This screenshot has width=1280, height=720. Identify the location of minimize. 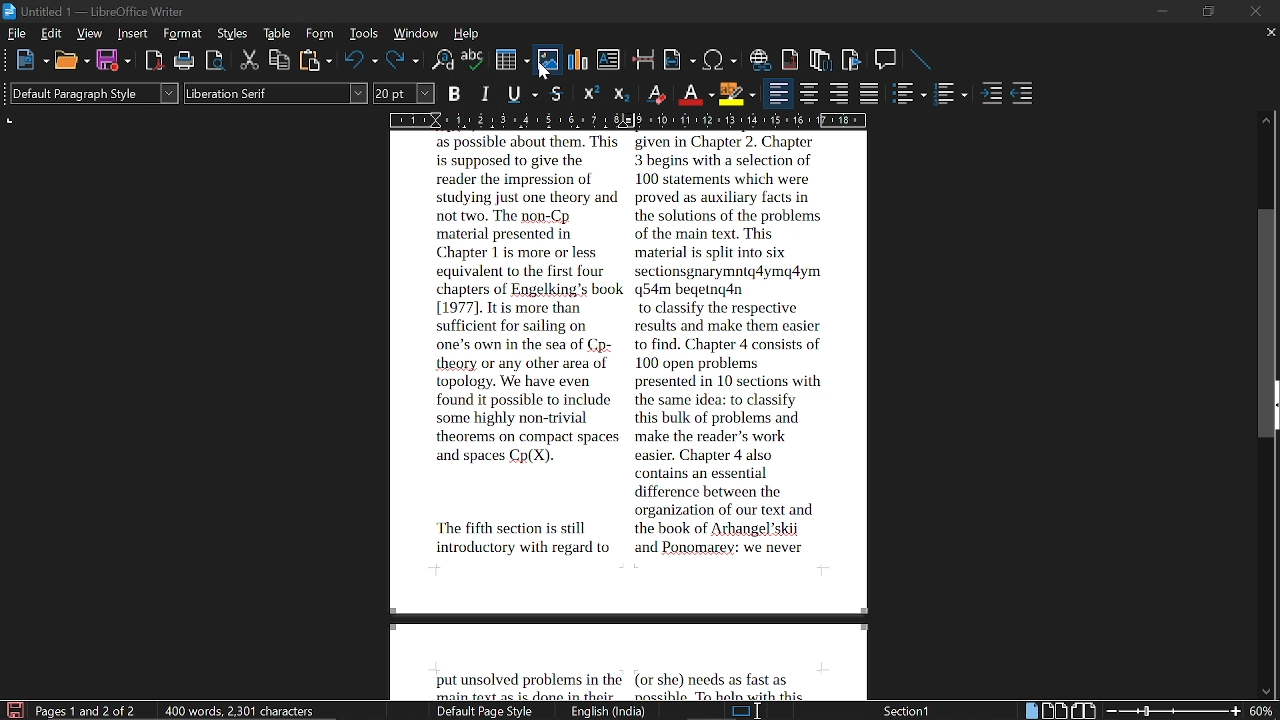
(1158, 9).